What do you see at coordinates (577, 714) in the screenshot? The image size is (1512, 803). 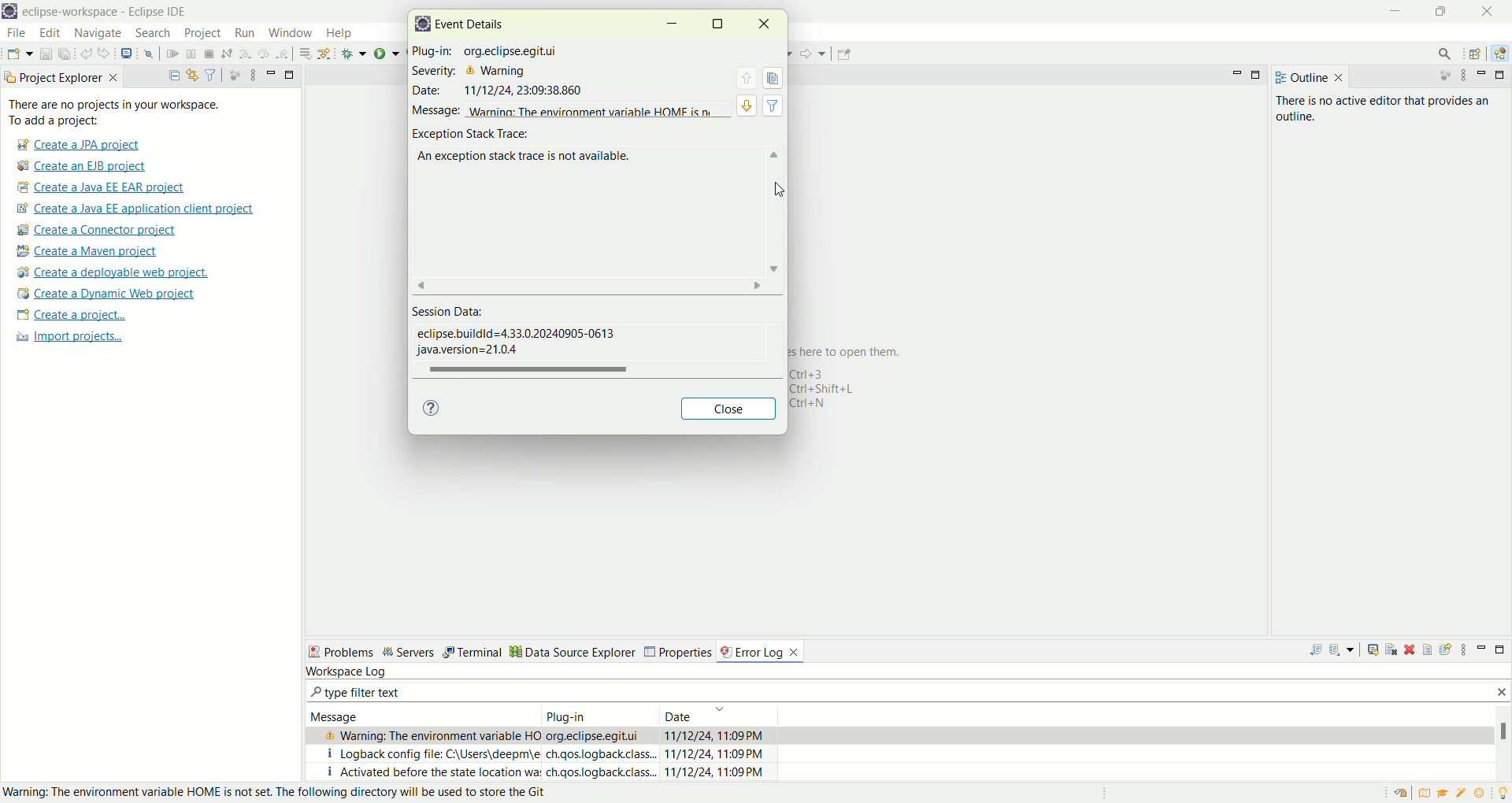 I see `Plug in` at bounding box center [577, 714].